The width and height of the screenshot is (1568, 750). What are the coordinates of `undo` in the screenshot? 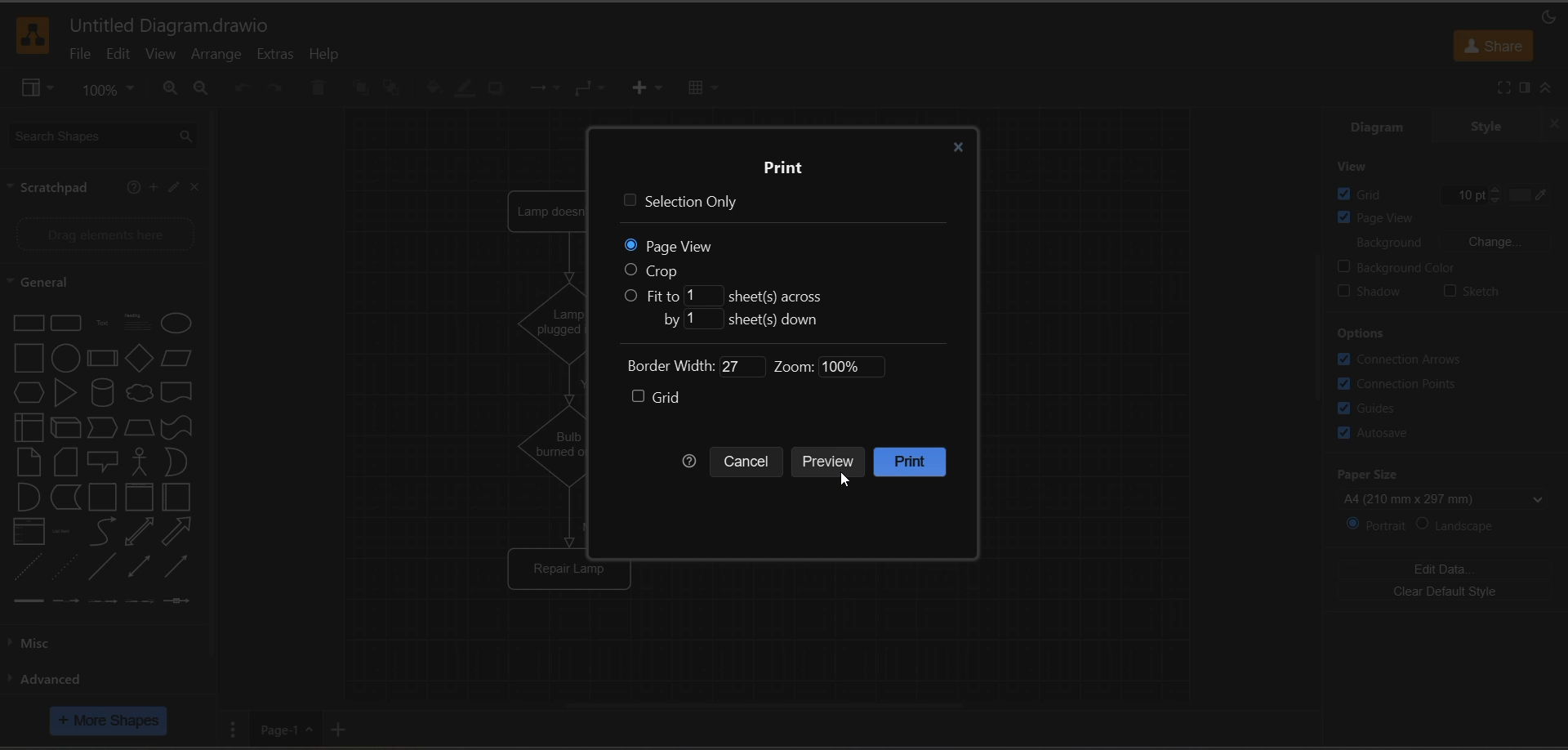 It's located at (238, 88).